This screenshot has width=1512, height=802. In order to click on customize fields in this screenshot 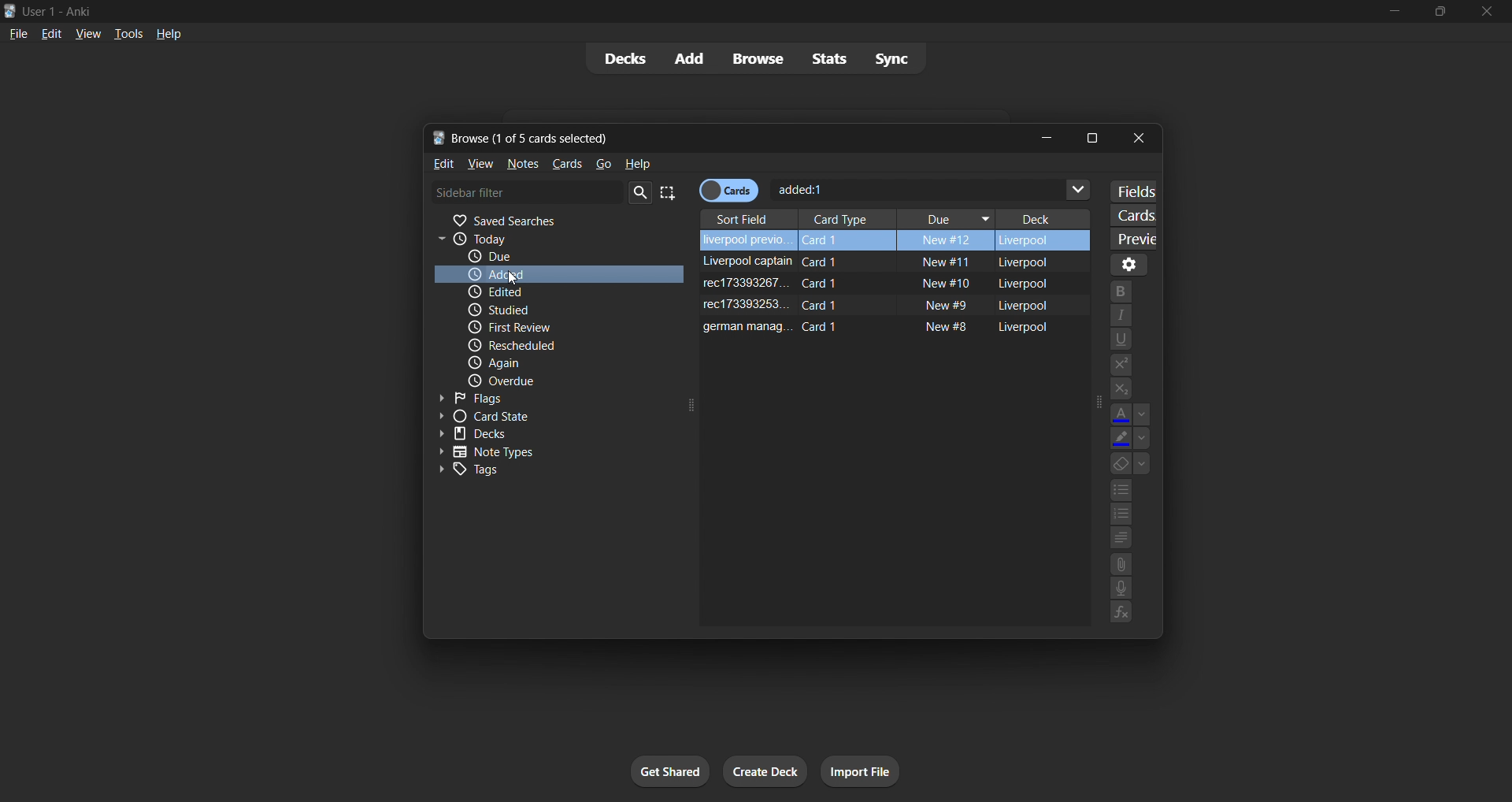, I will do `click(1134, 189)`.